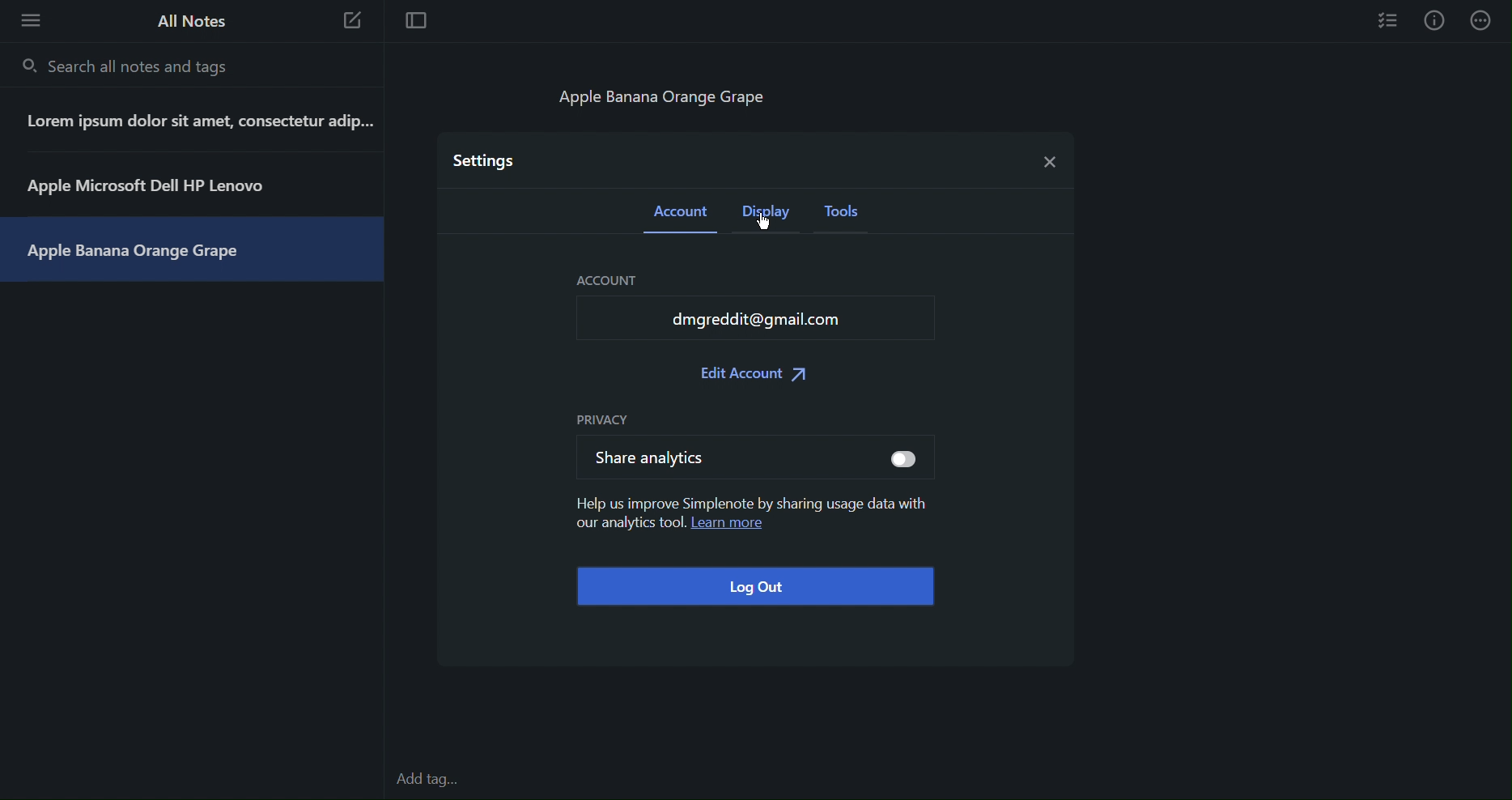 The image size is (1512, 800). I want to click on New Note, so click(353, 23).